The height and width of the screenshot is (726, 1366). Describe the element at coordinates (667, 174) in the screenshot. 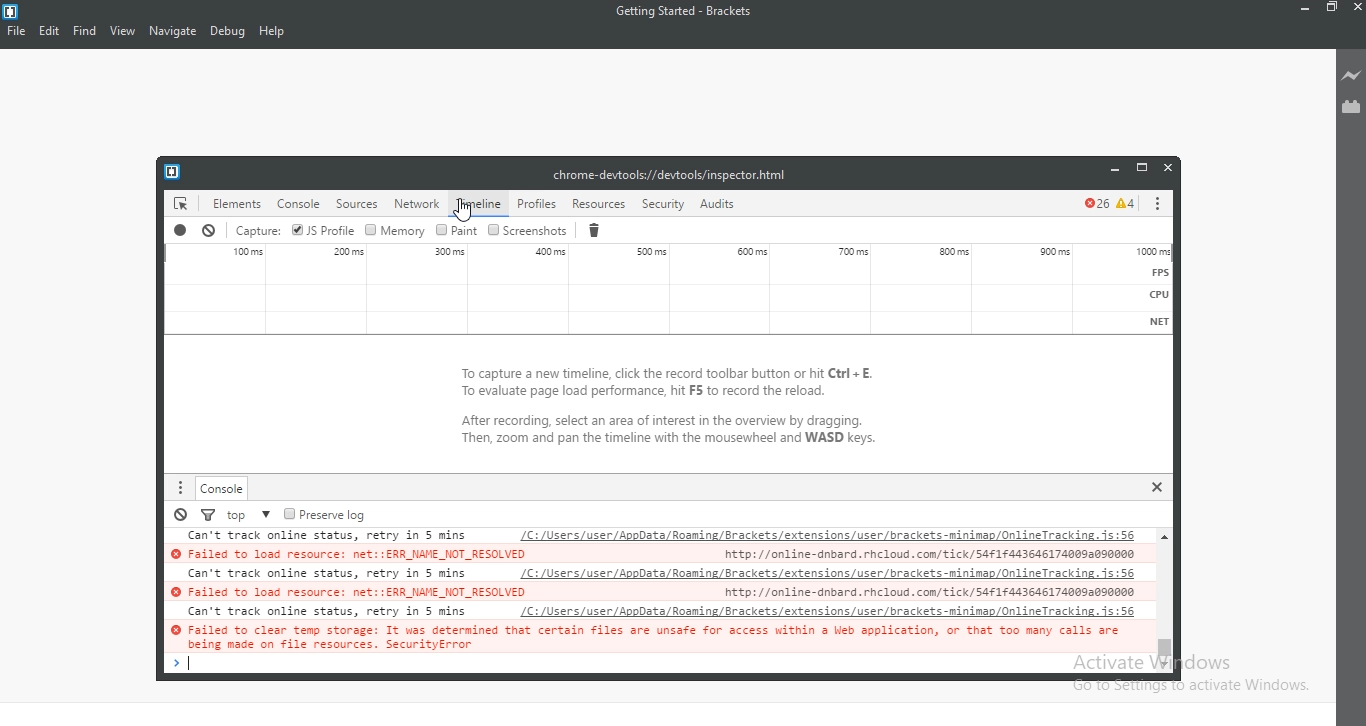

I see `chrome-devtools://devtools/inspector.html` at that location.